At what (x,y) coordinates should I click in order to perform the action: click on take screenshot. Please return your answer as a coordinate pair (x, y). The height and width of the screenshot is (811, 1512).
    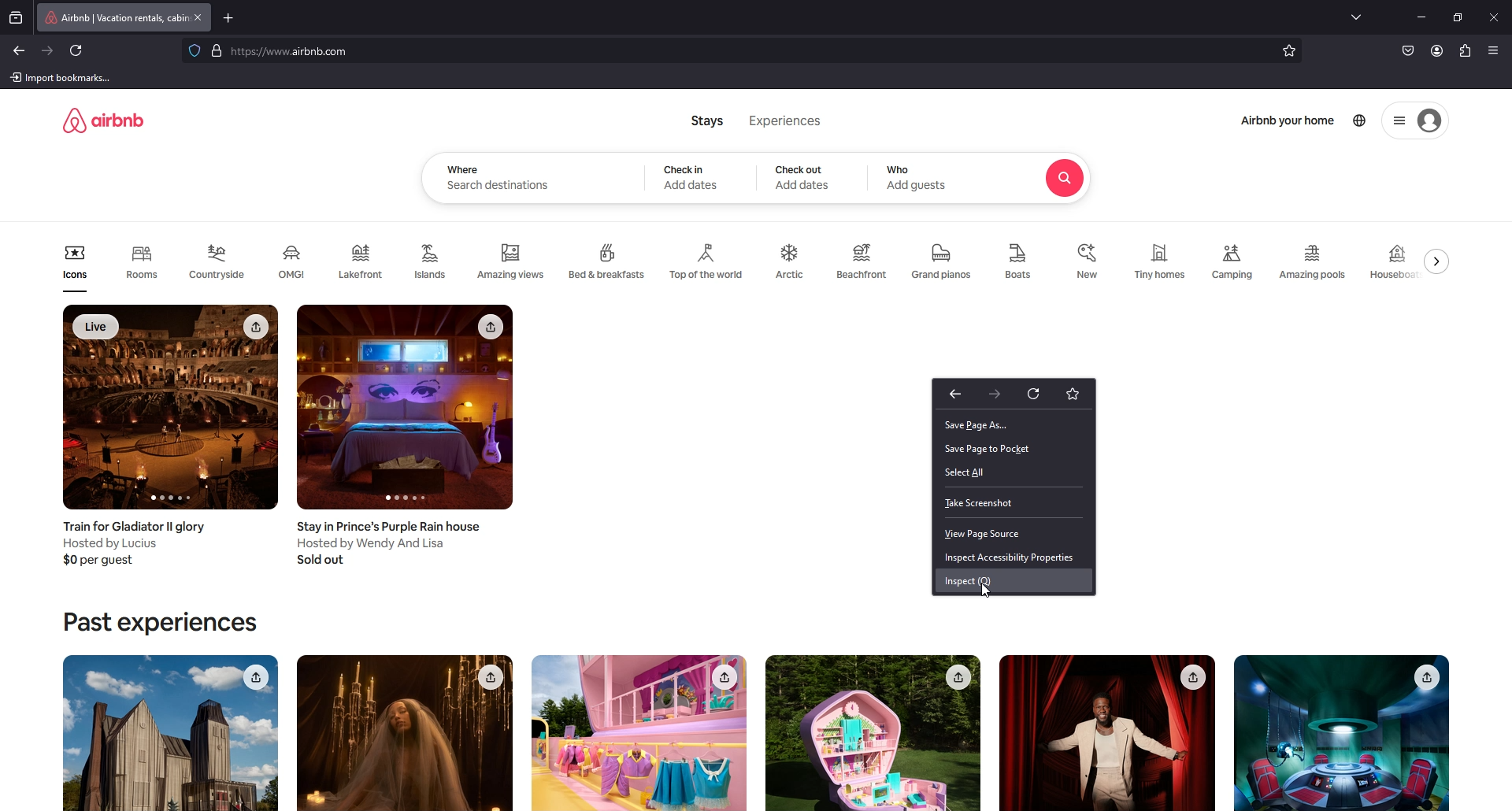
    Looking at the image, I should click on (1013, 503).